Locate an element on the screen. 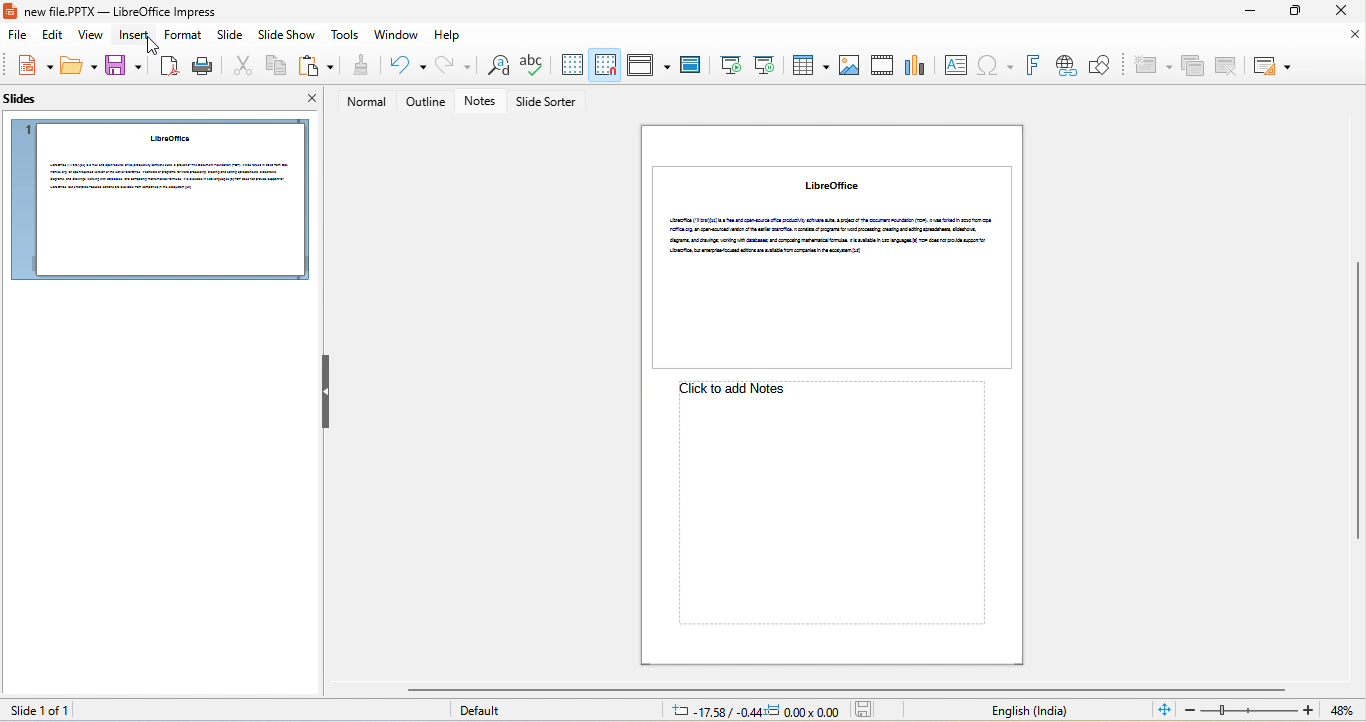  notes is located at coordinates (484, 102).